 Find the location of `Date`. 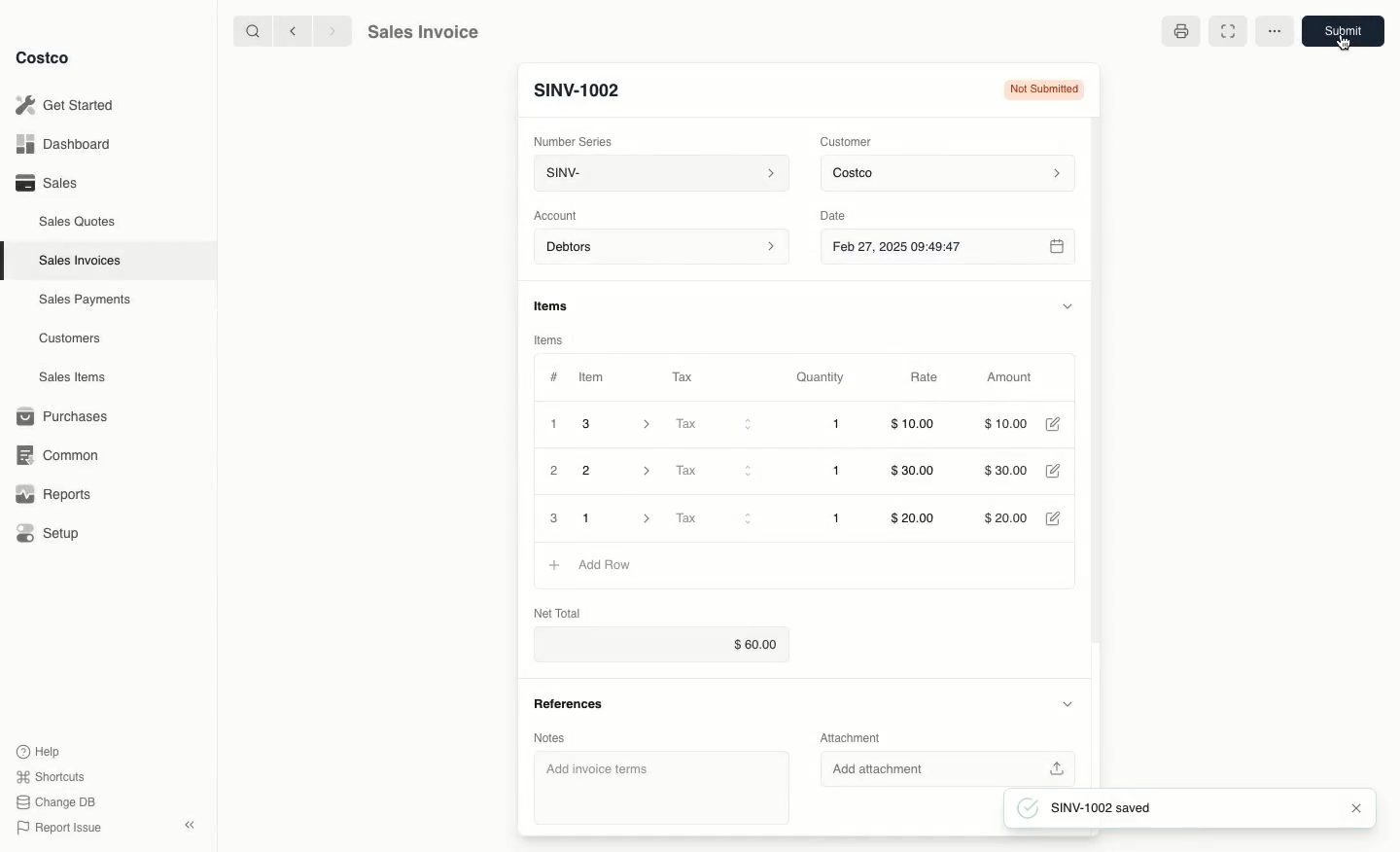

Date is located at coordinates (849, 213).